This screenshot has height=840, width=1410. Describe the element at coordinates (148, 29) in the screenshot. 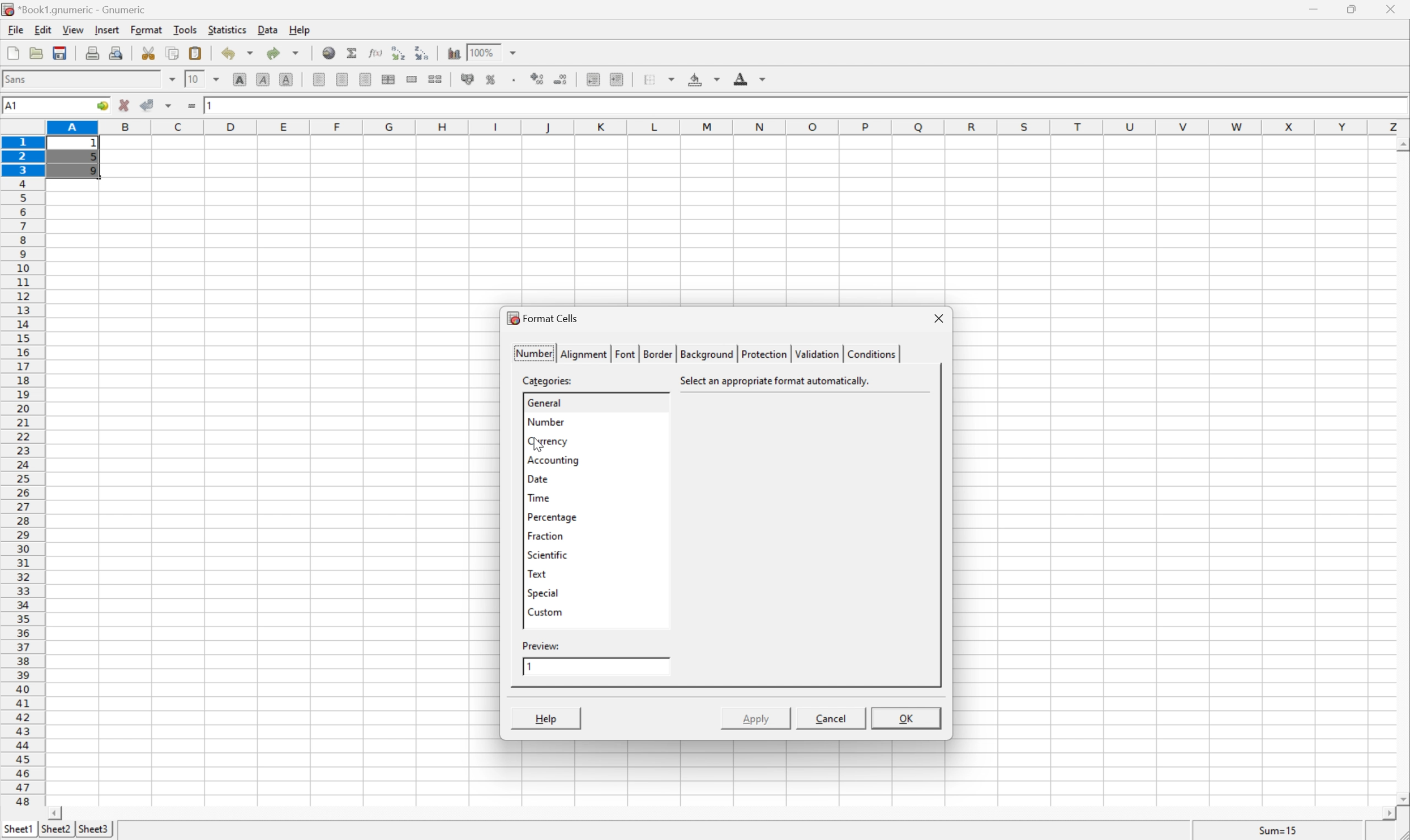

I see `format` at that location.